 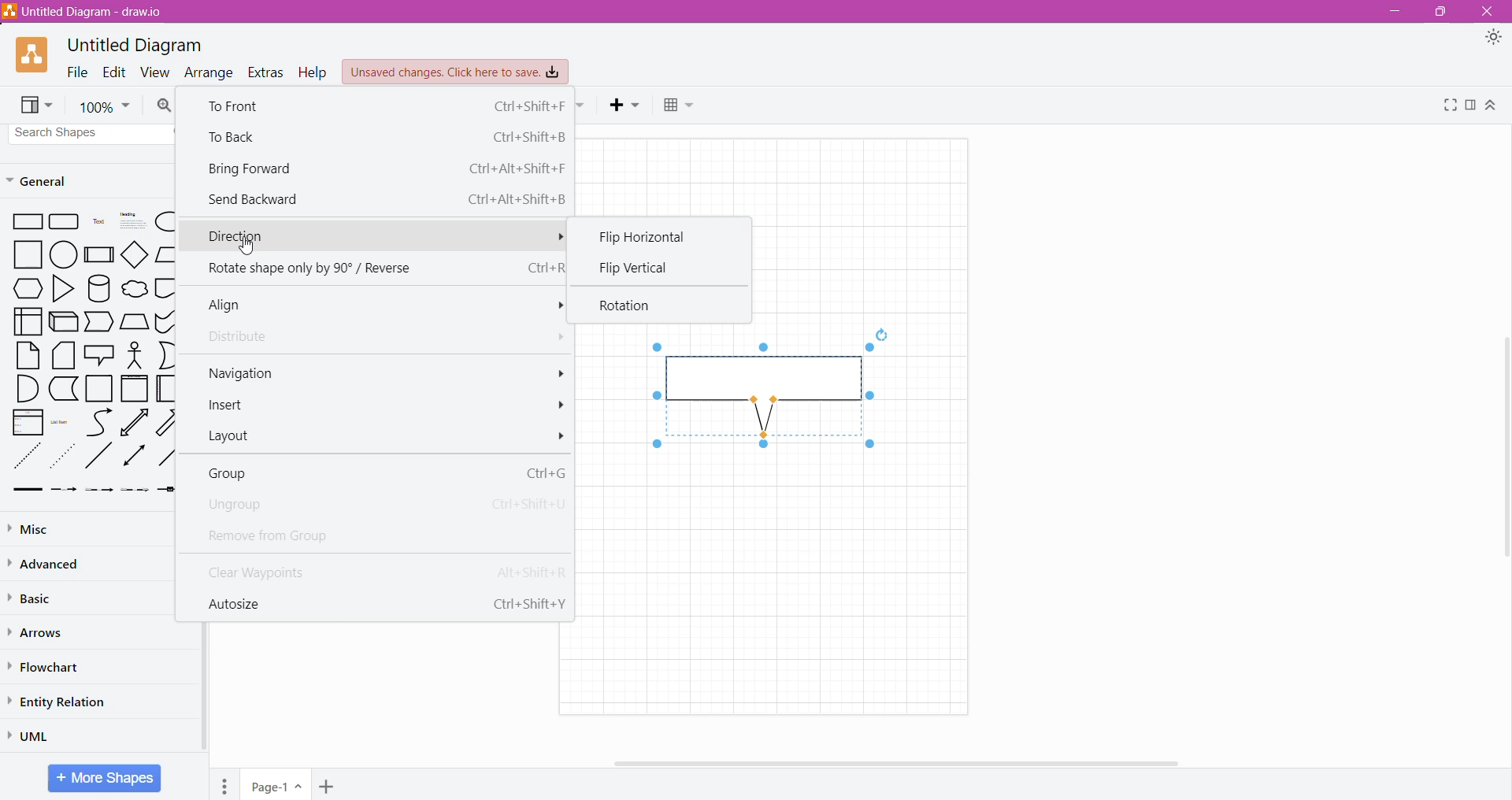 What do you see at coordinates (165, 254) in the screenshot?
I see `Parallelogram` at bounding box center [165, 254].